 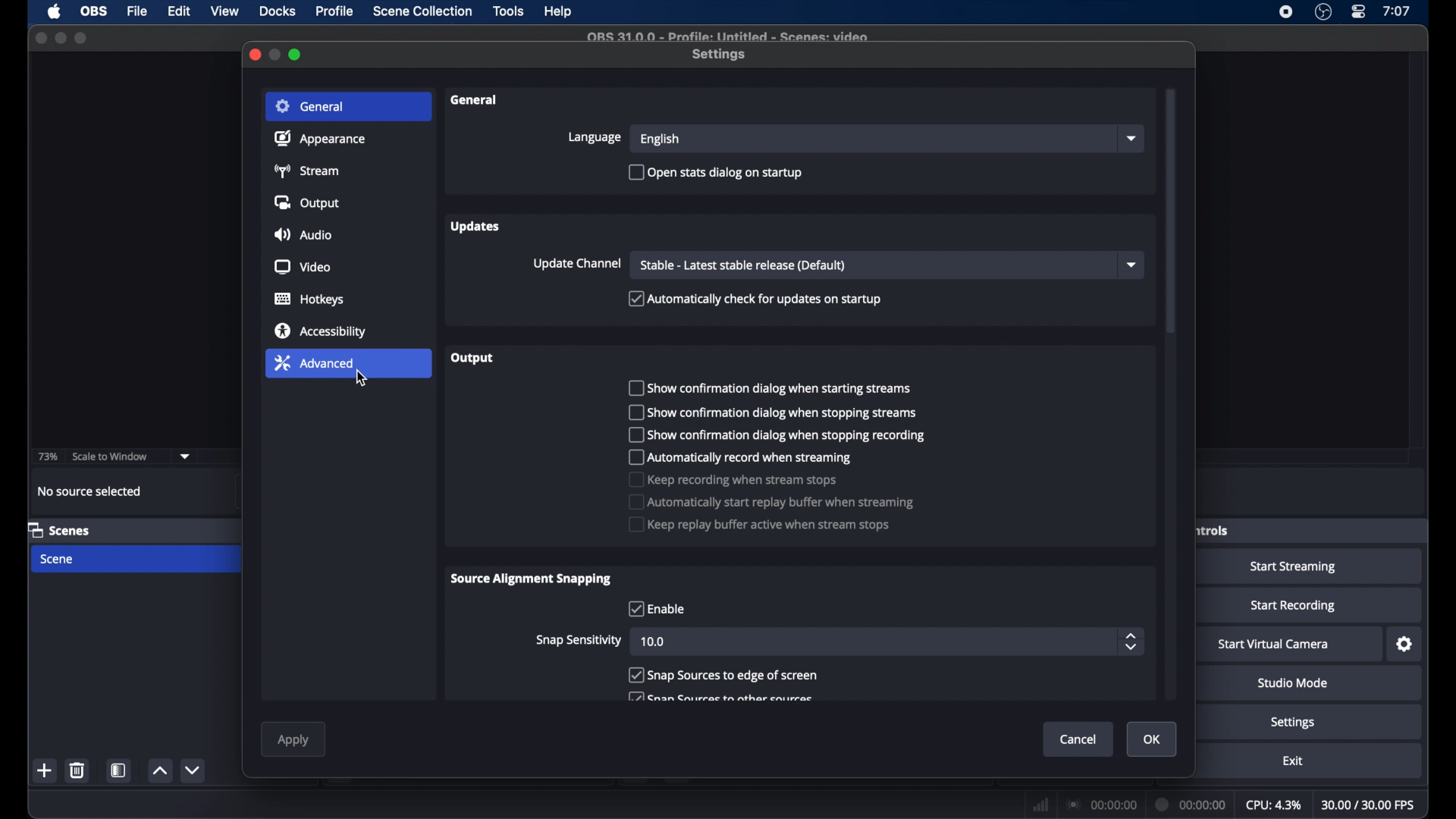 What do you see at coordinates (306, 171) in the screenshot?
I see `stream` at bounding box center [306, 171].